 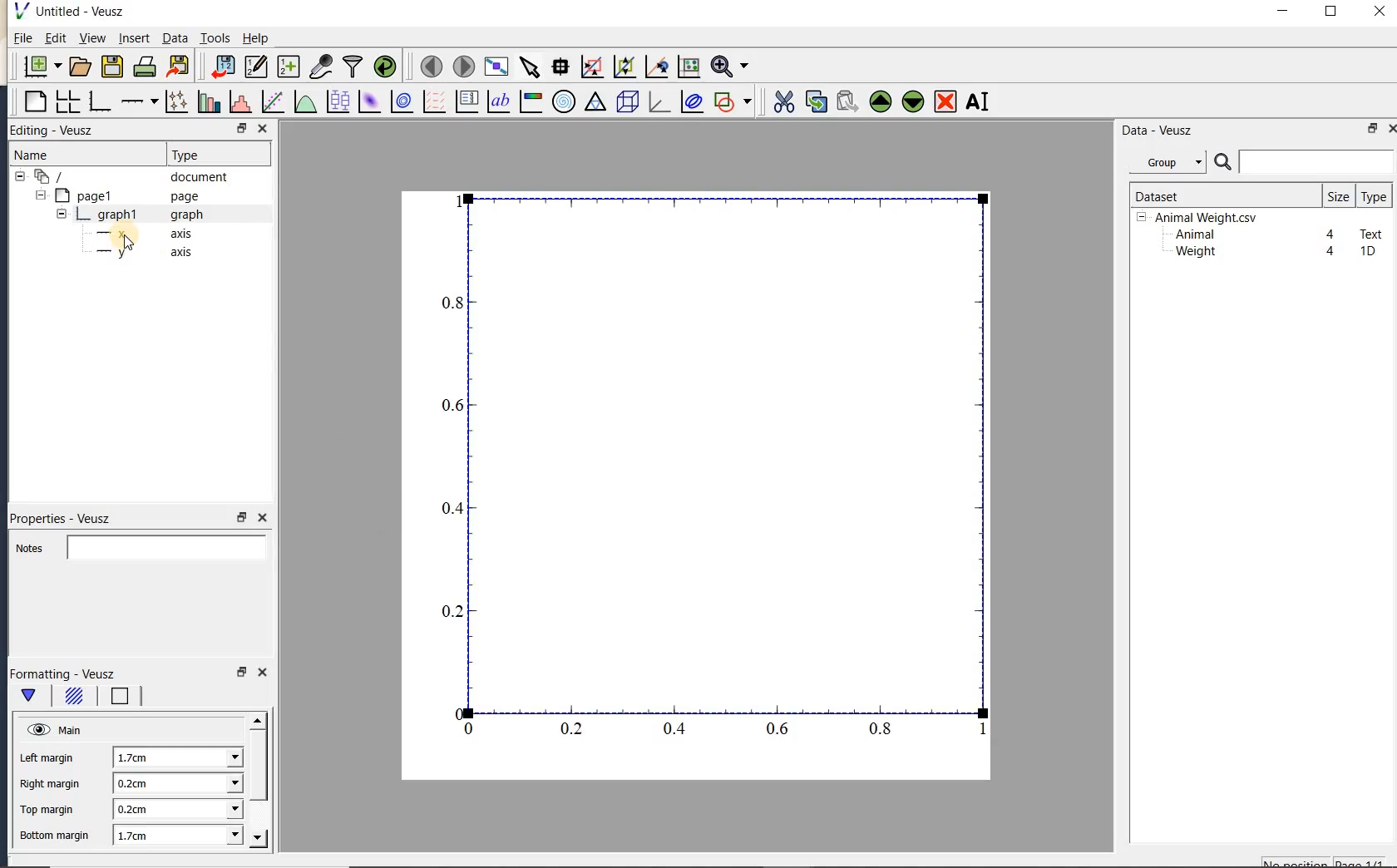 What do you see at coordinates (625, 102) in the screenshot?
I see `3d scene` at bounding box center [625, 102].